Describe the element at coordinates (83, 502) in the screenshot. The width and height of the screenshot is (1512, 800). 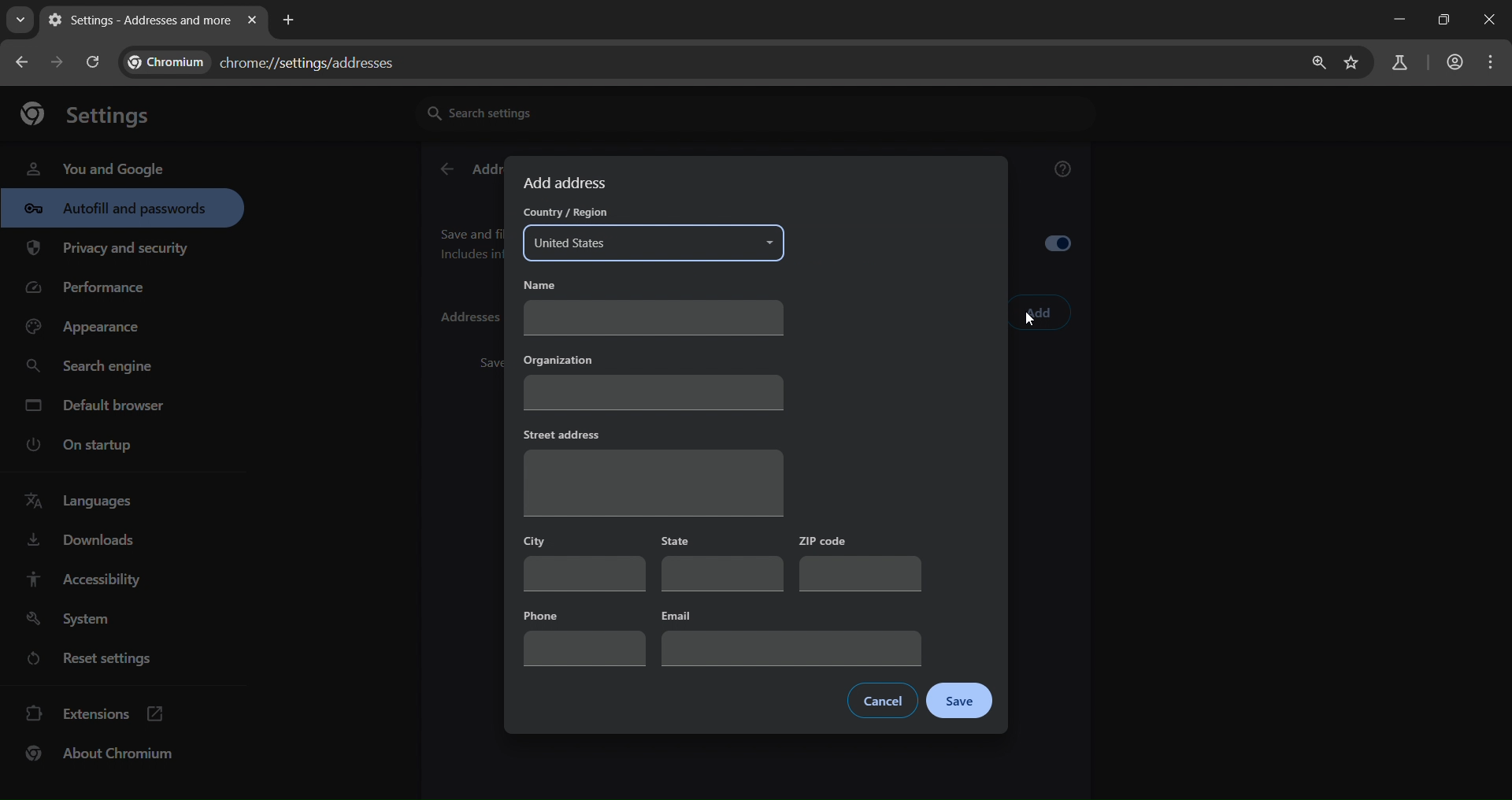
I see `language` at that location.